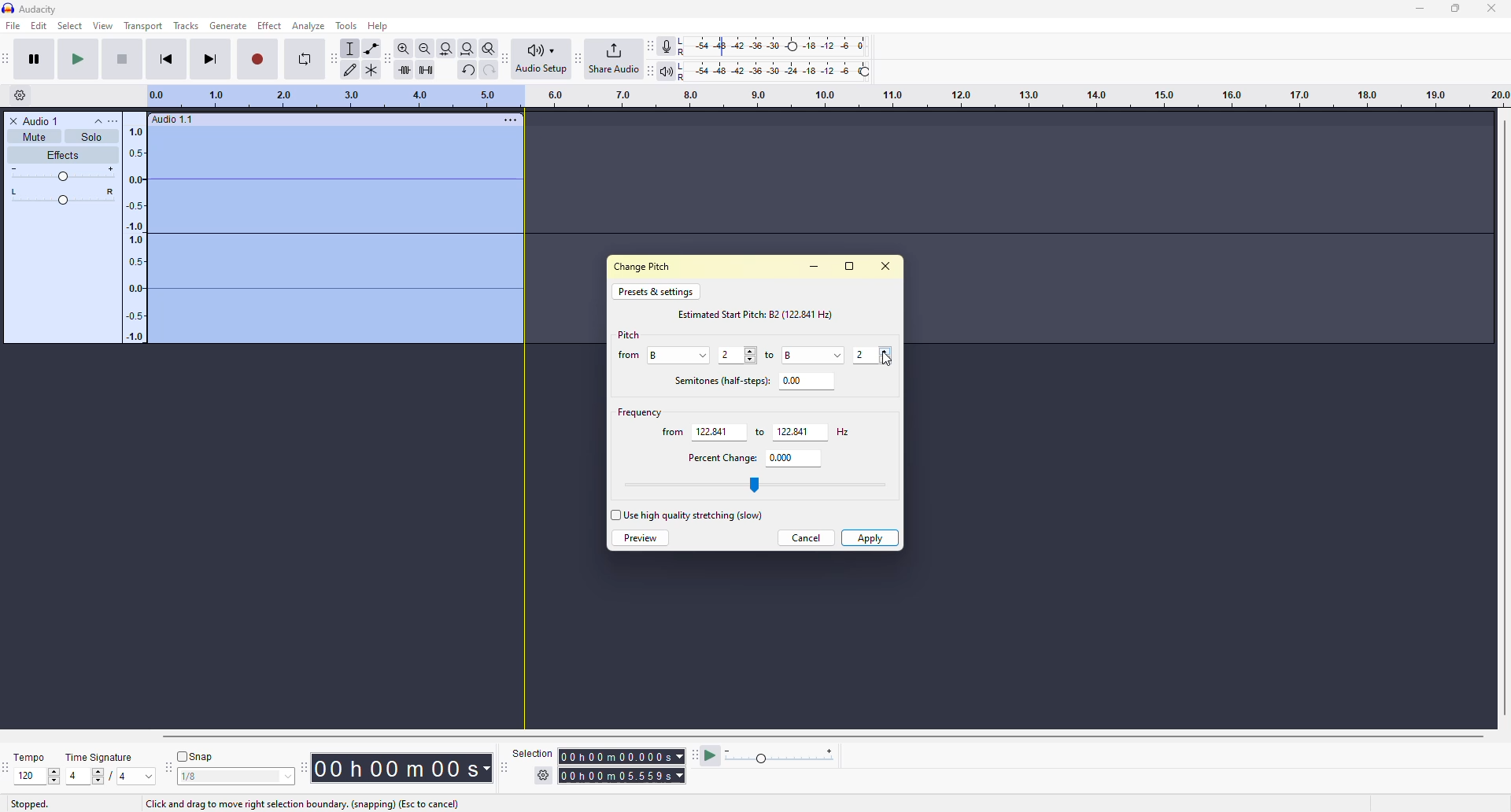 The image size is (1511, 812). What do you see at coordinates (33, 137) in the screenshot?
I see `mute` at bounding box center [33, 137].